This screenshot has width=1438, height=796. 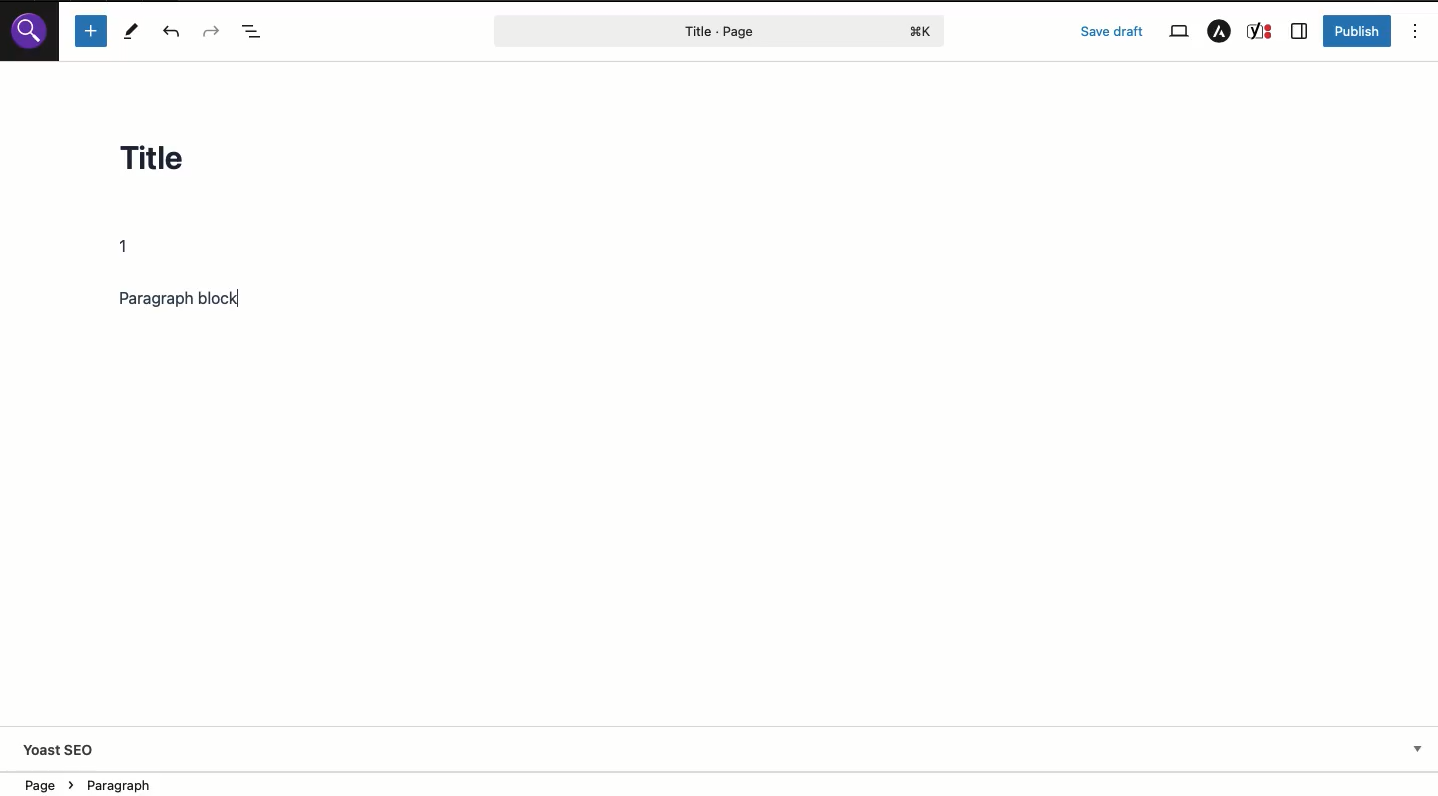 What do you see at coordinates (1178, 32) in the screenshot?
I see `View` at bounding box center [1178, 32].